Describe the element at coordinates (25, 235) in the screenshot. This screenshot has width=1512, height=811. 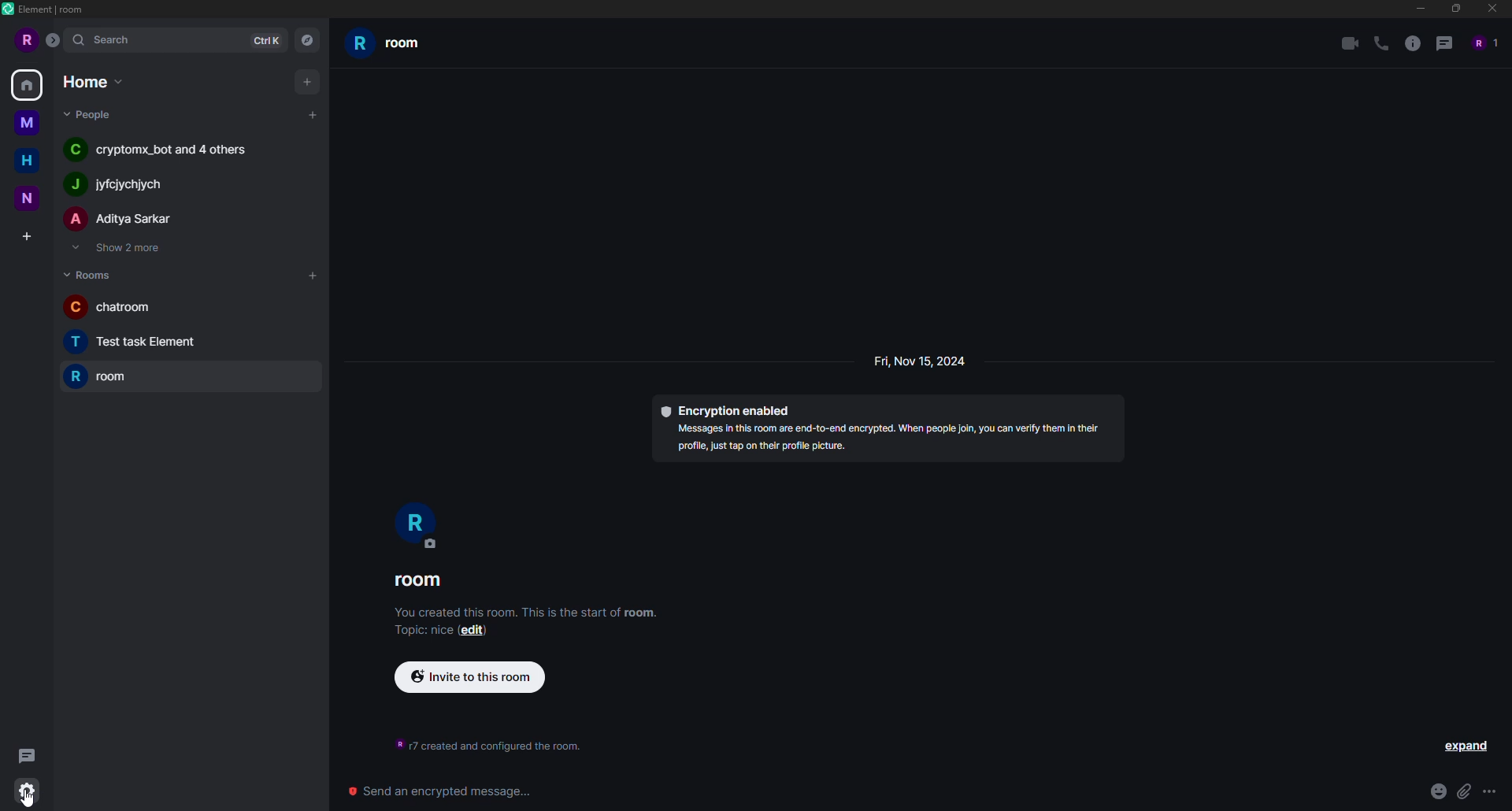
I see `create space` at that location.